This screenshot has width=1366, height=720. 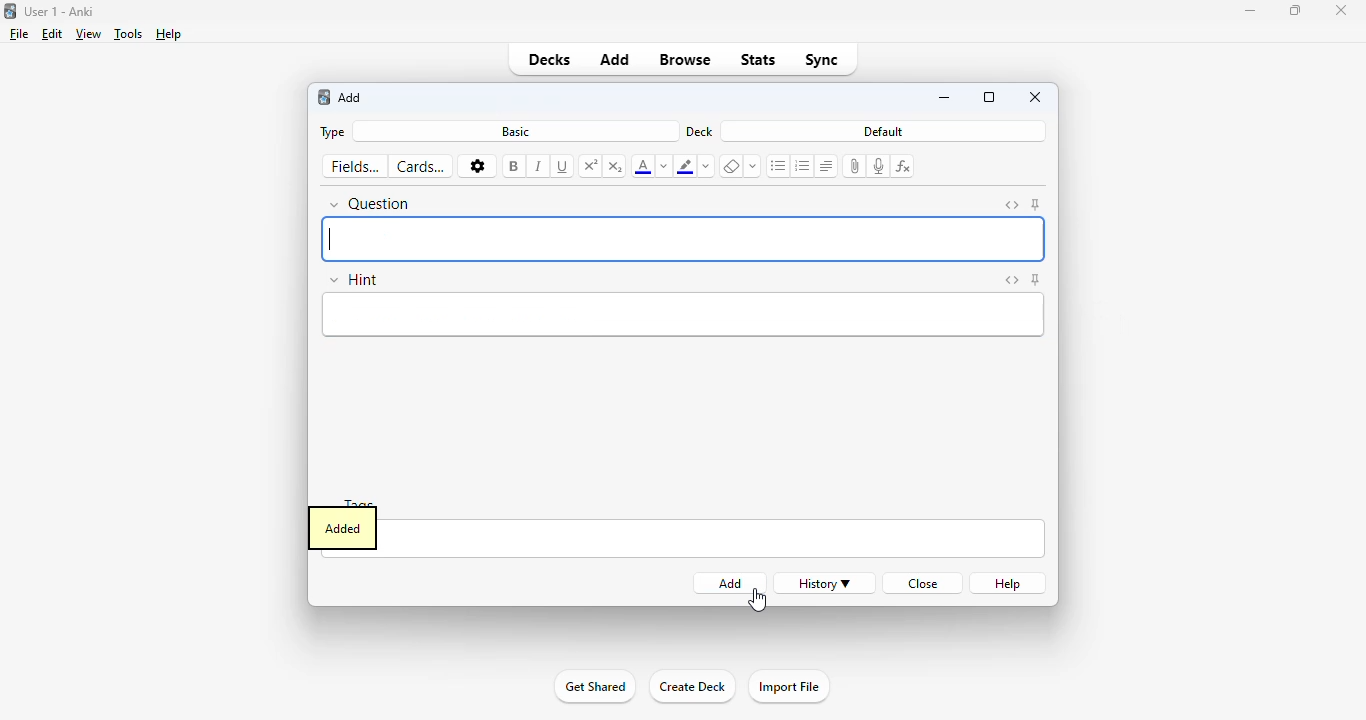 What do you see at coordinates (129, 34) in the screenshot?
I see `tools` at bounding box center [129, 34].